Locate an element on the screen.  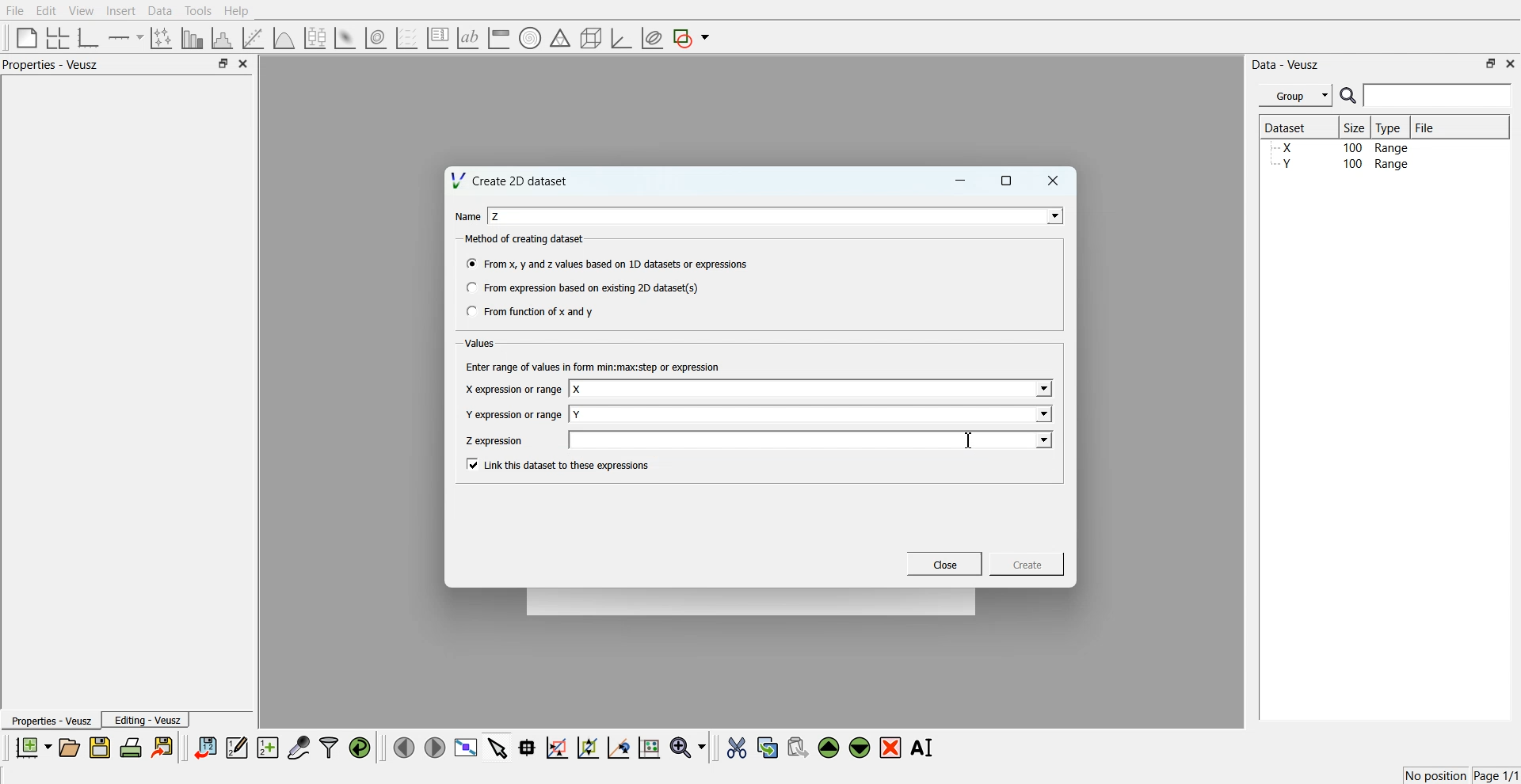
No position Page 1/1 is located at coordinates (1461, 775).